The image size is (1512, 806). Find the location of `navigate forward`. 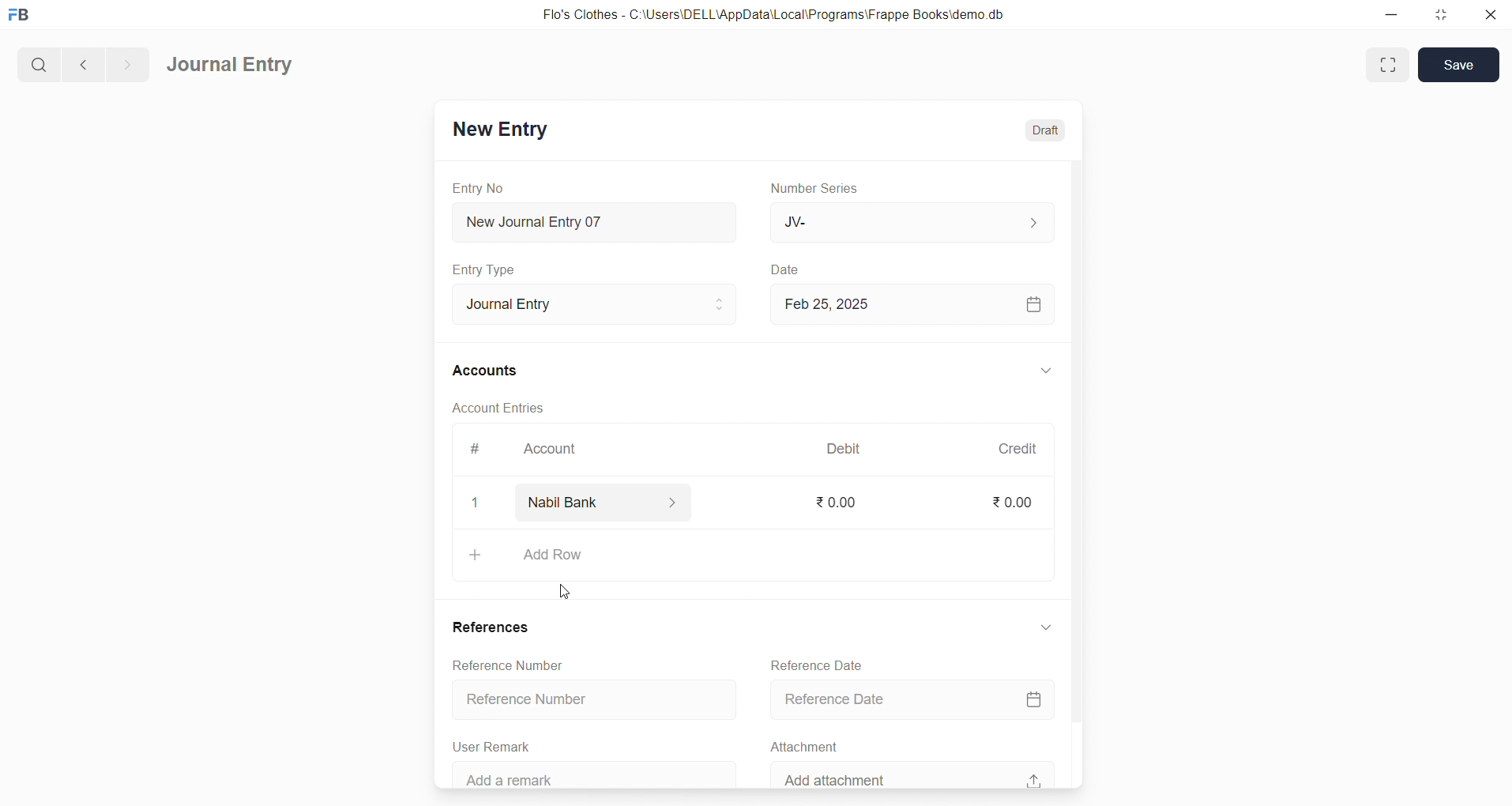

navigate forward is located at coordinates (127, 62).